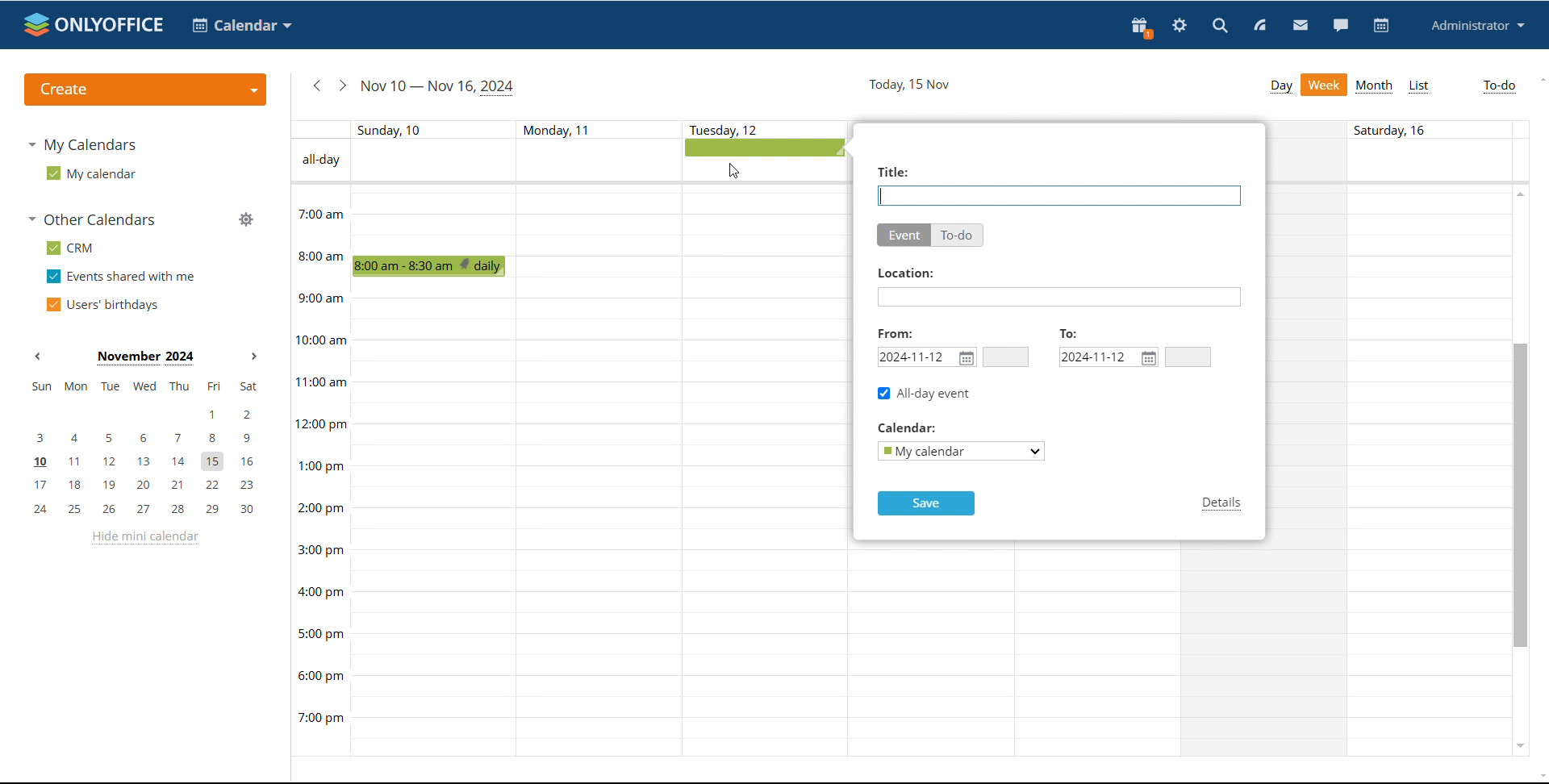 The height and width of the screenshot is (784, 1549). What do you see at coordinates (399, 129) in the screenshot?
I see `individual day` at bounding box center [399, 129].